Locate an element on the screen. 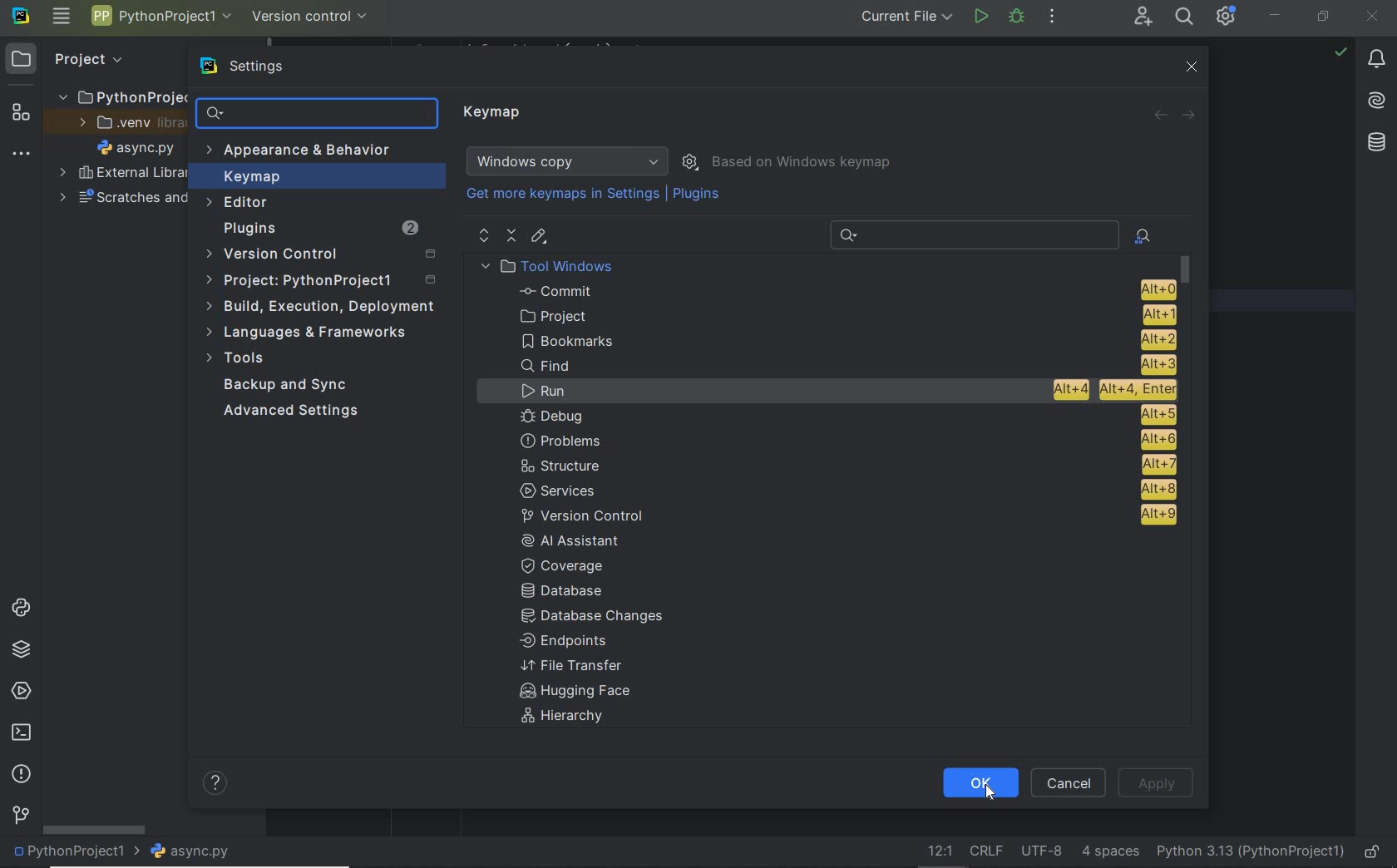 The width and height of the screenshot is (1397, 868). Keymap is located at coordinates (495, 115).